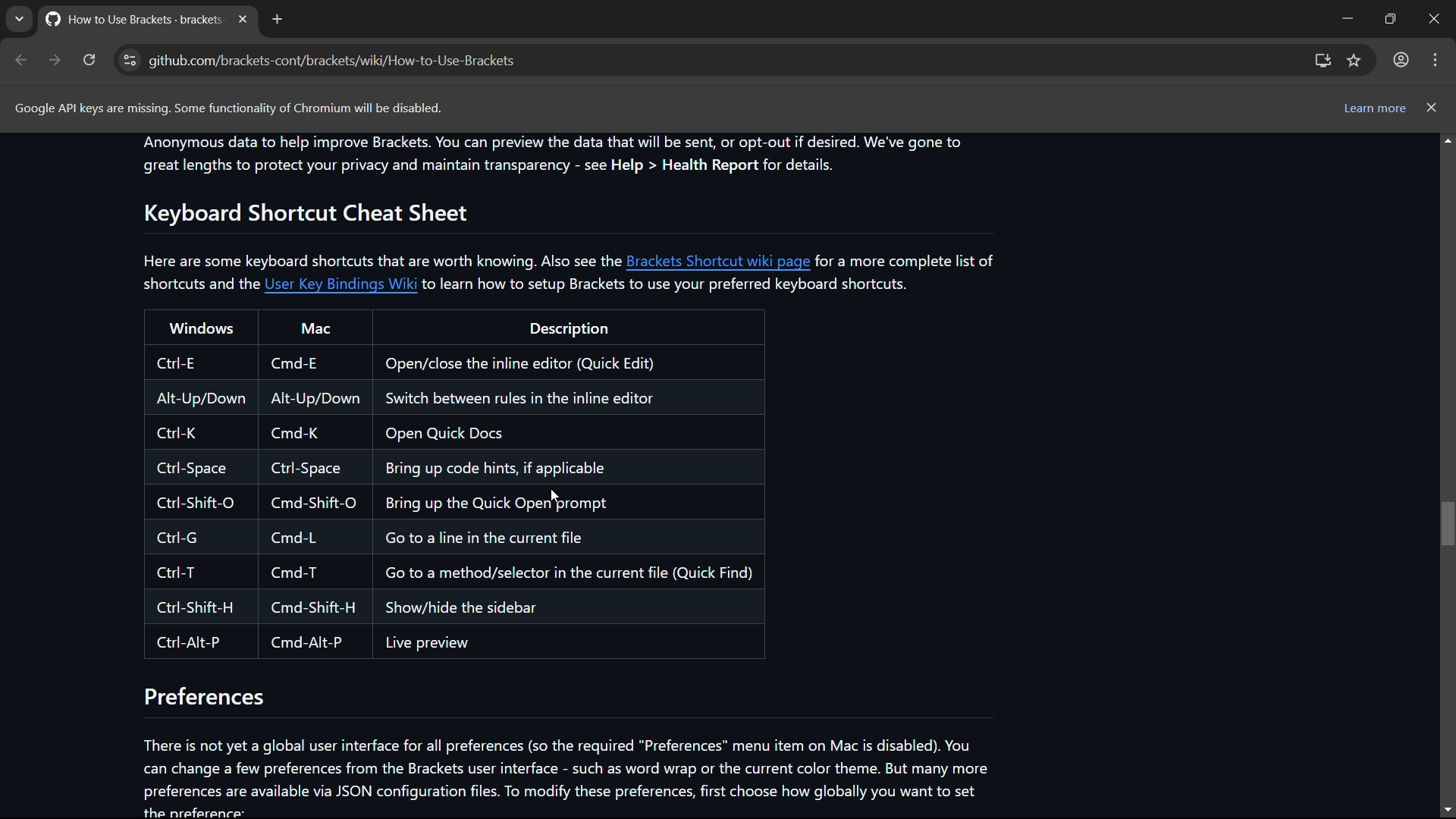 The width and height of the screenshot is (1456, 819). I want to click on download github, so click(1323, 61).